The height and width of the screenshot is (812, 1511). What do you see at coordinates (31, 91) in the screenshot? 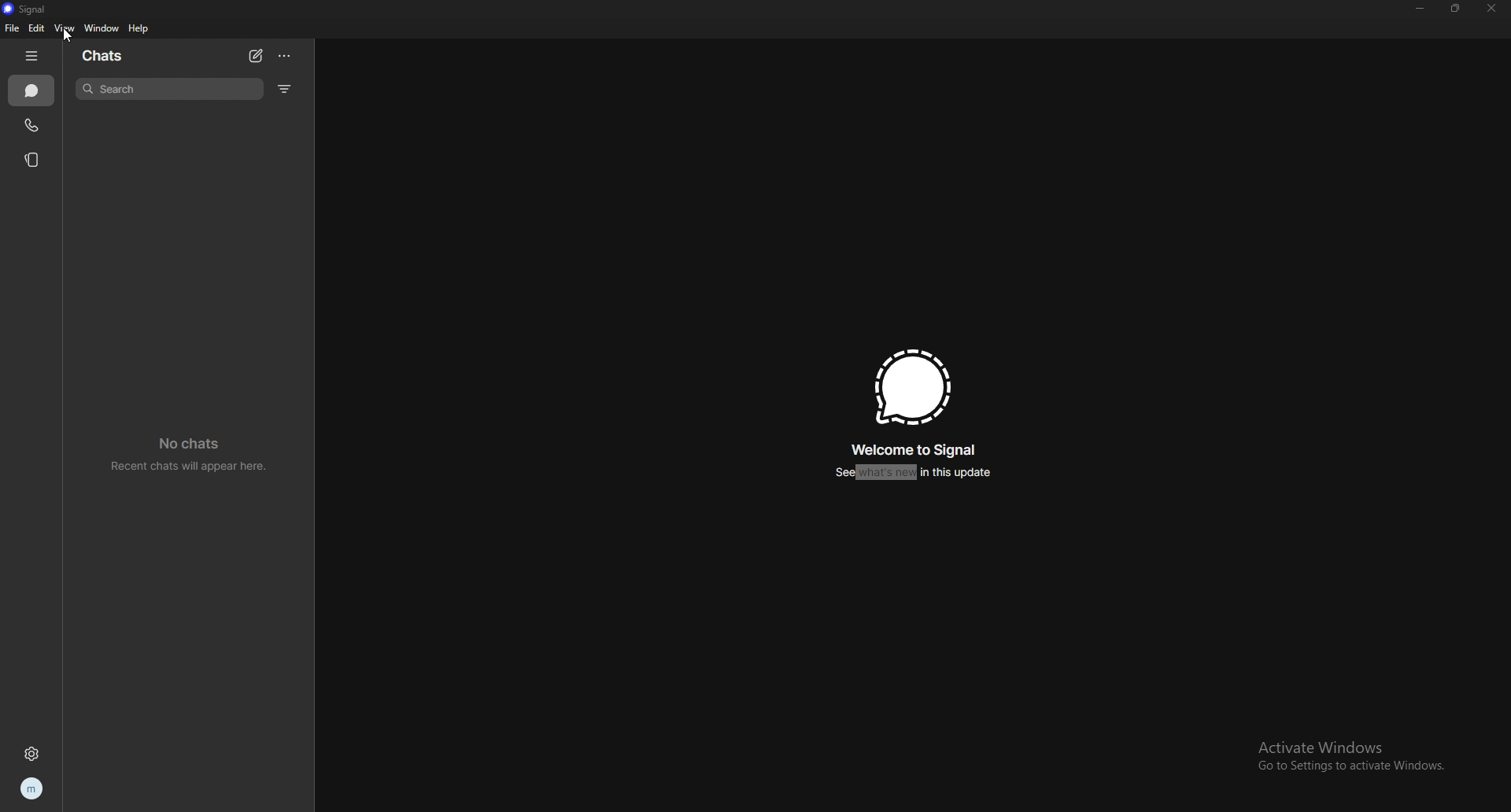
I see `chats` at bounding box center [31, 91].